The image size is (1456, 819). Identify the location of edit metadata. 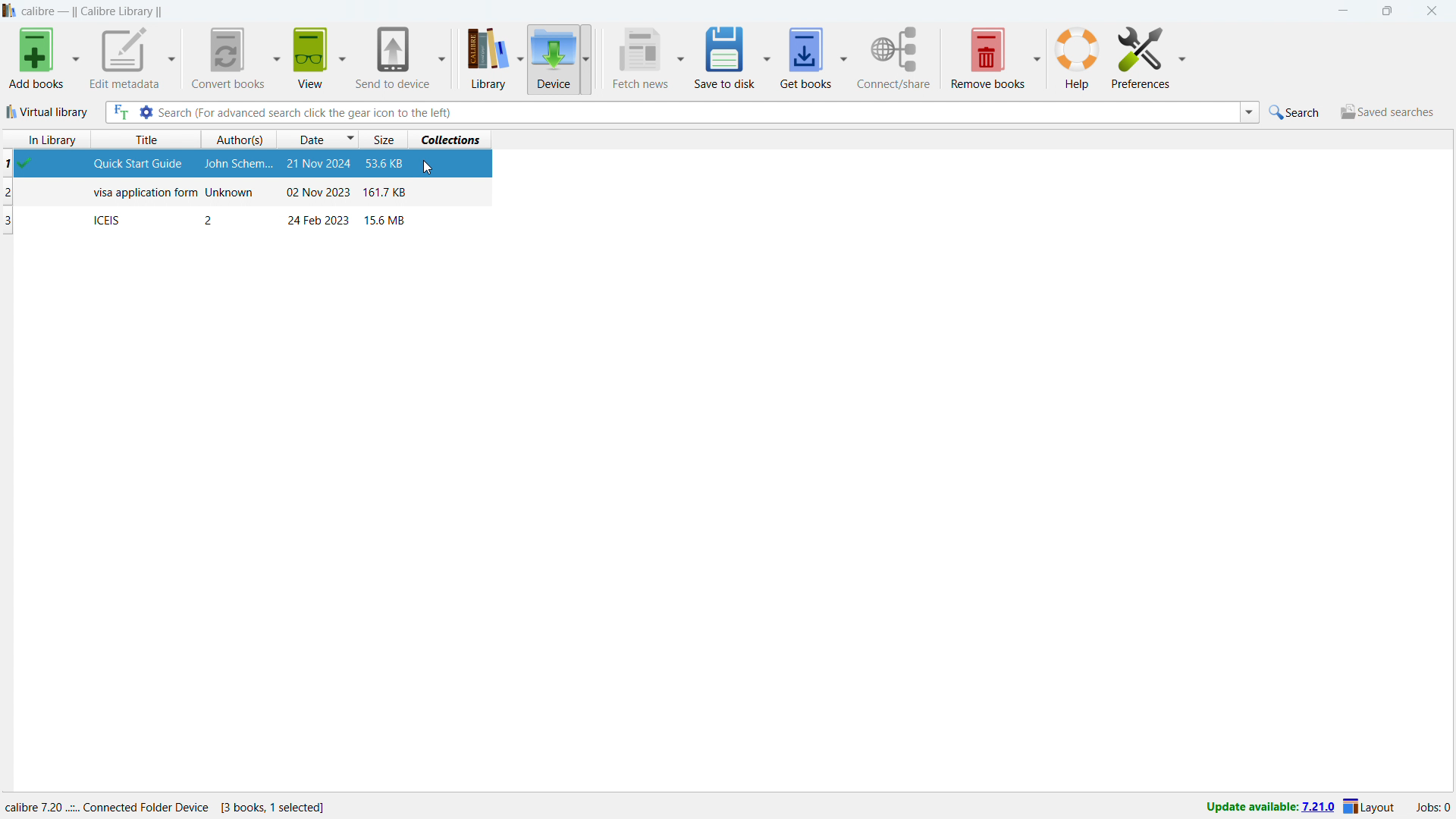
(124, 58).